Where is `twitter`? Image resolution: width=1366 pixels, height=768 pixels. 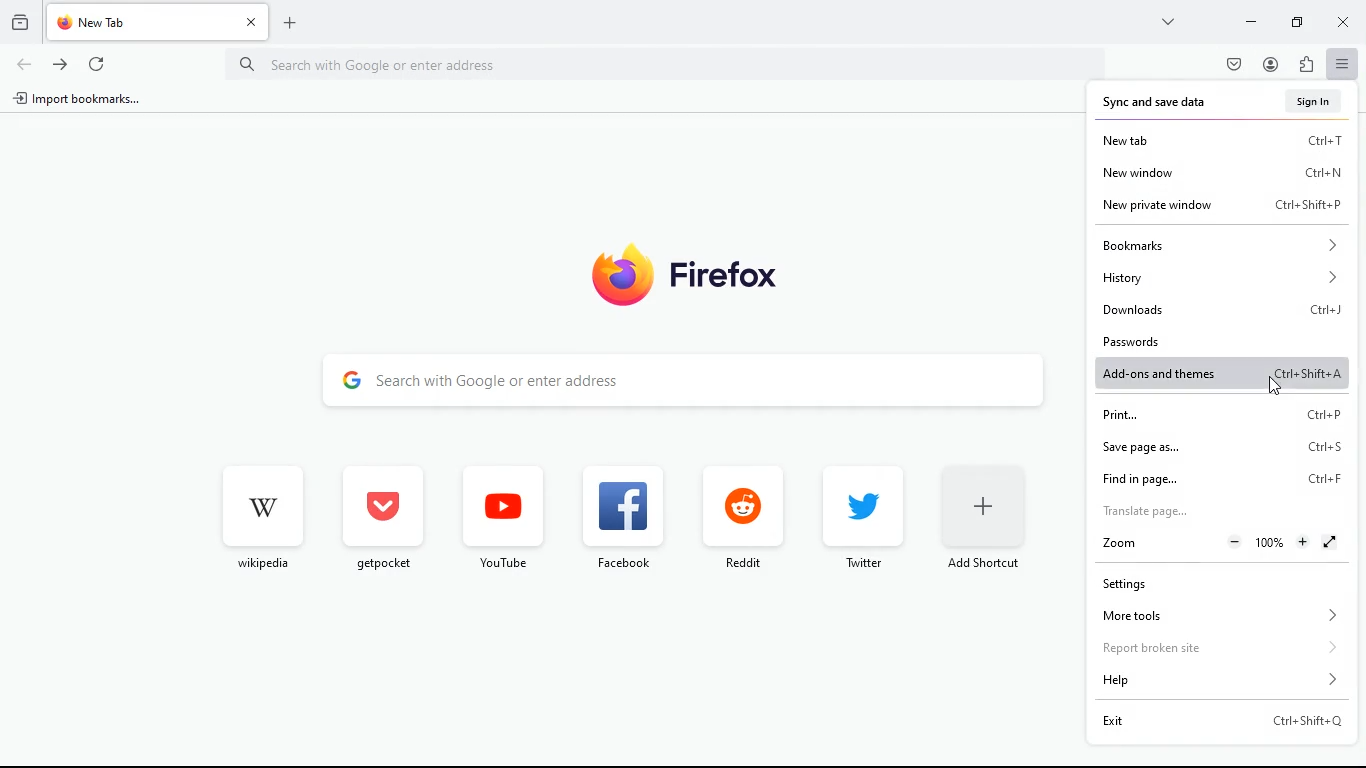
twitter is located at coordinates (863, 523).